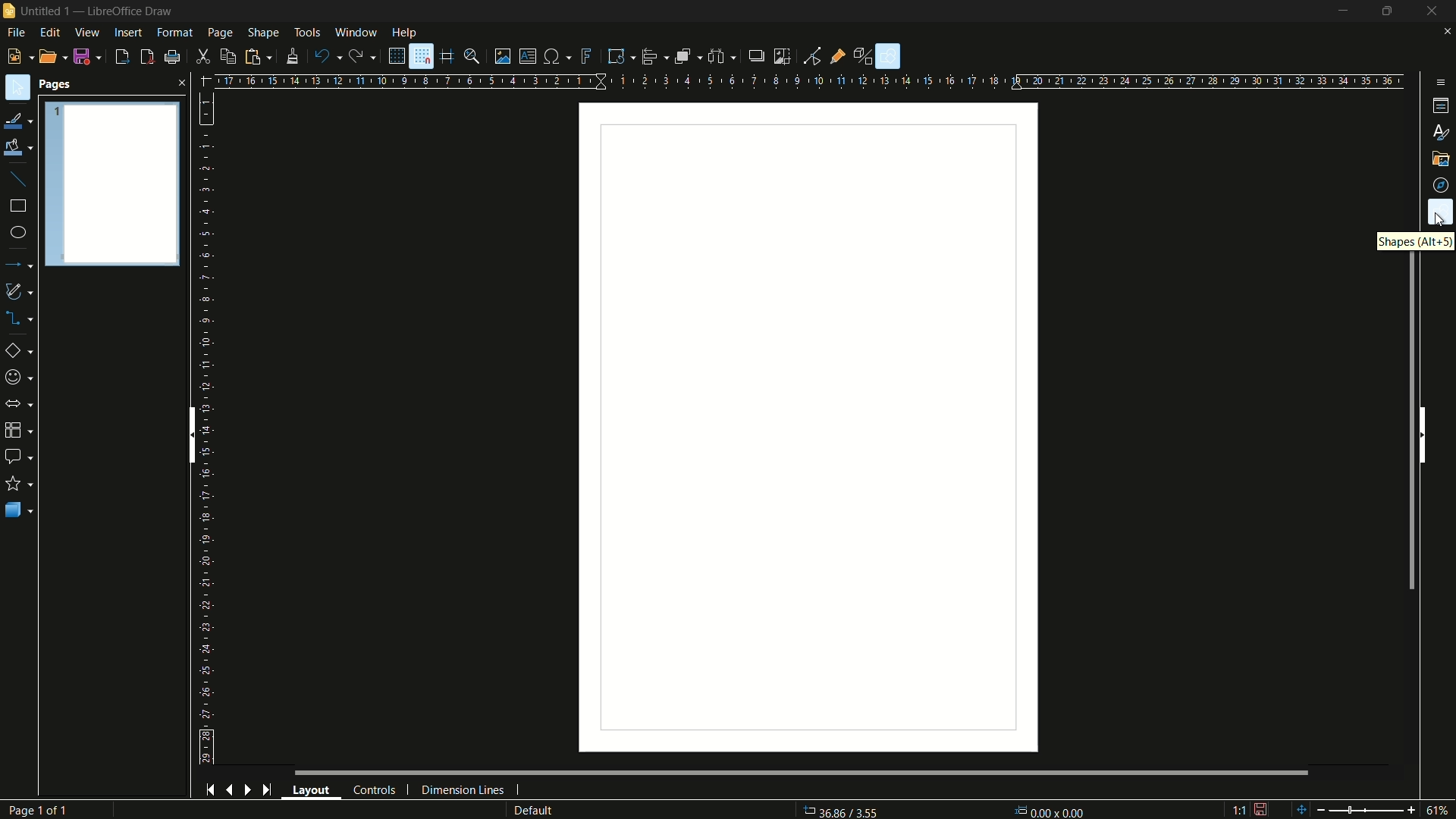 This screenshot has height=819, width=1456. What do you see at coordinates (1411, 423) in the screenshot?
I see `scroll bar` at bounding box center [1411, 423].